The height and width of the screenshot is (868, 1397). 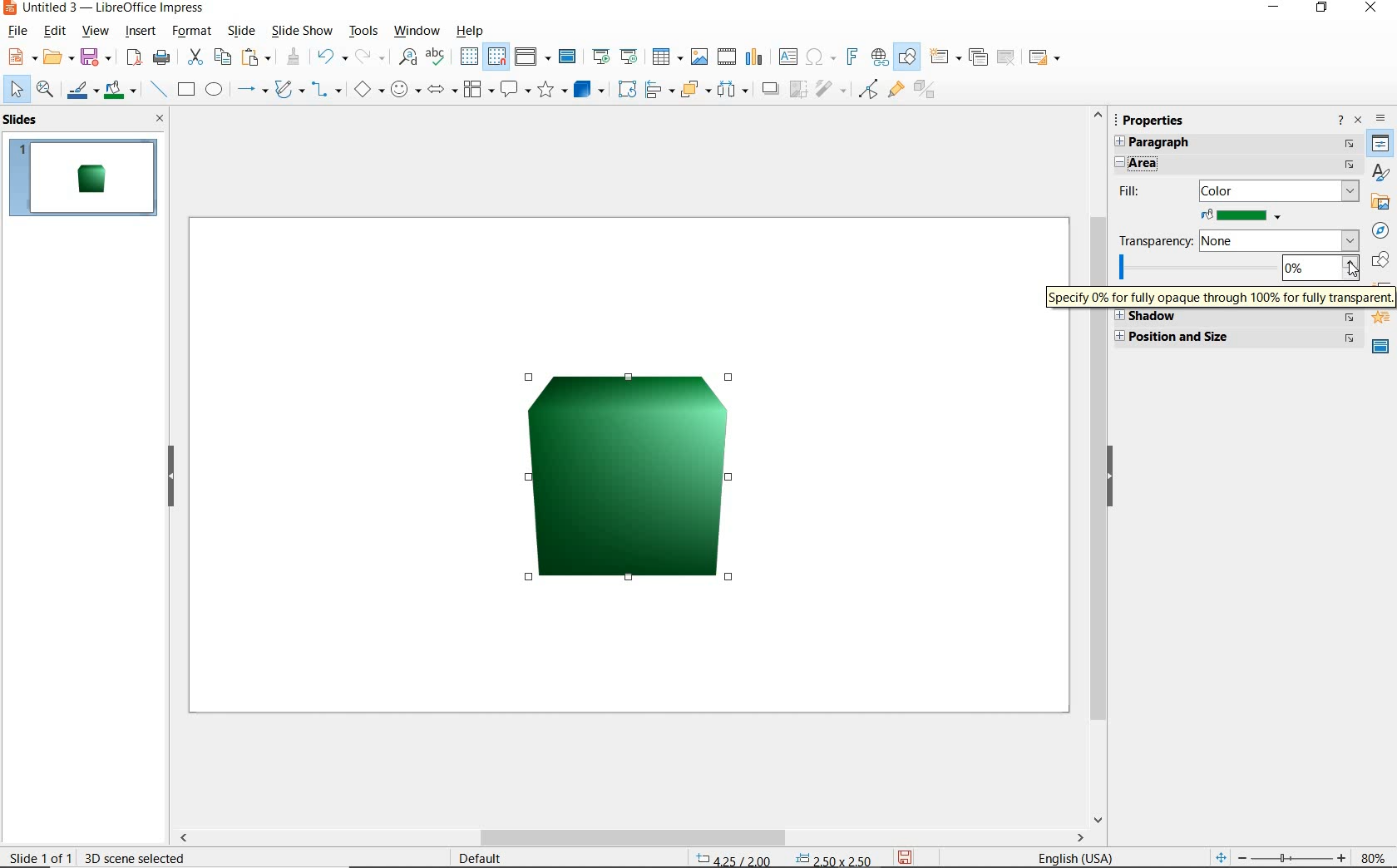 I want to click on insert special characters, so click(x=822, y=57).